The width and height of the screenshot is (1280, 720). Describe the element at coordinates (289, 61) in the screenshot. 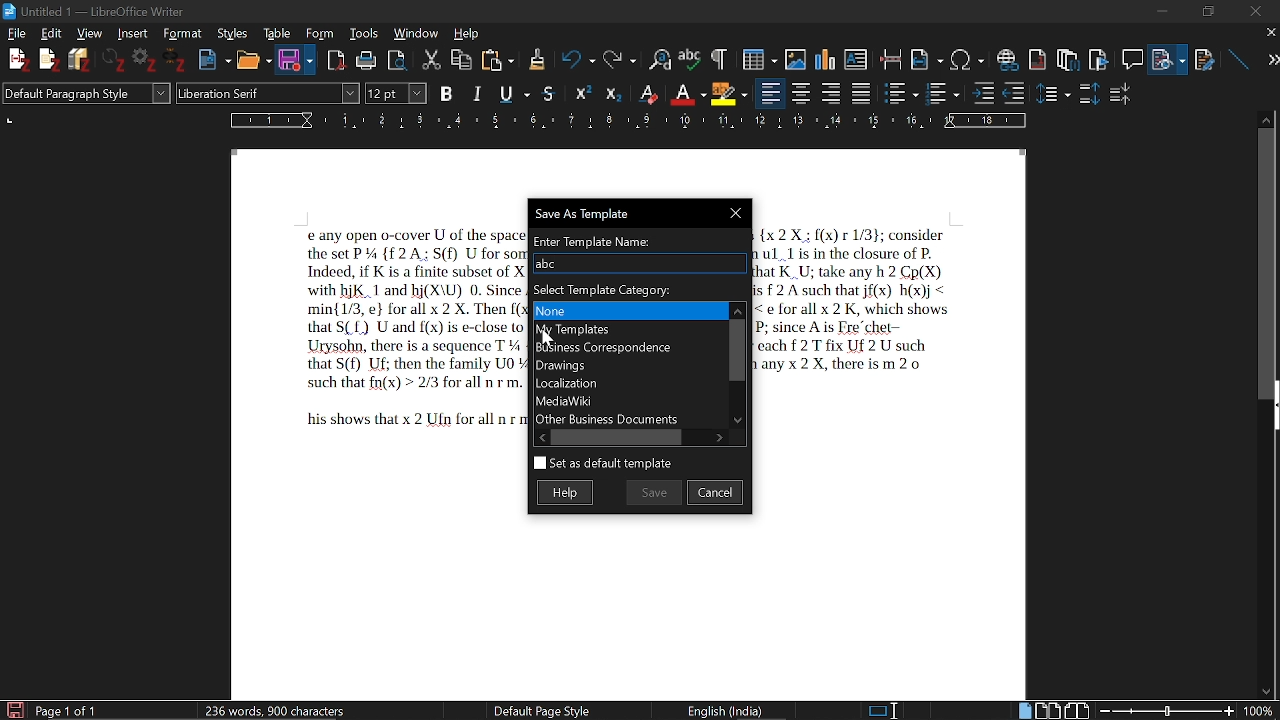

I see `Save` at that location.